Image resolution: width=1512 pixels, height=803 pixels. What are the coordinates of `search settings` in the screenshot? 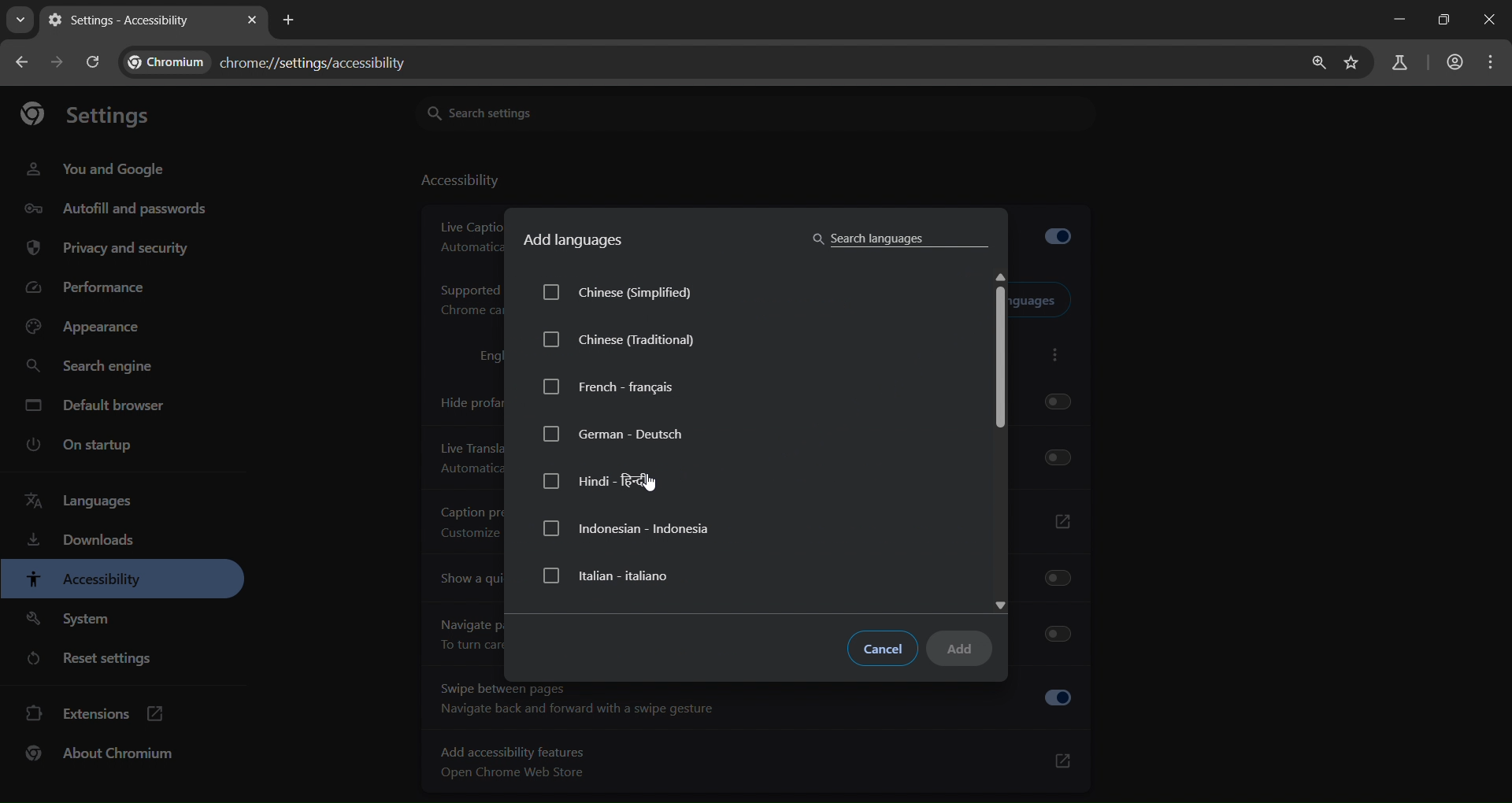 It's located at (533, 111).